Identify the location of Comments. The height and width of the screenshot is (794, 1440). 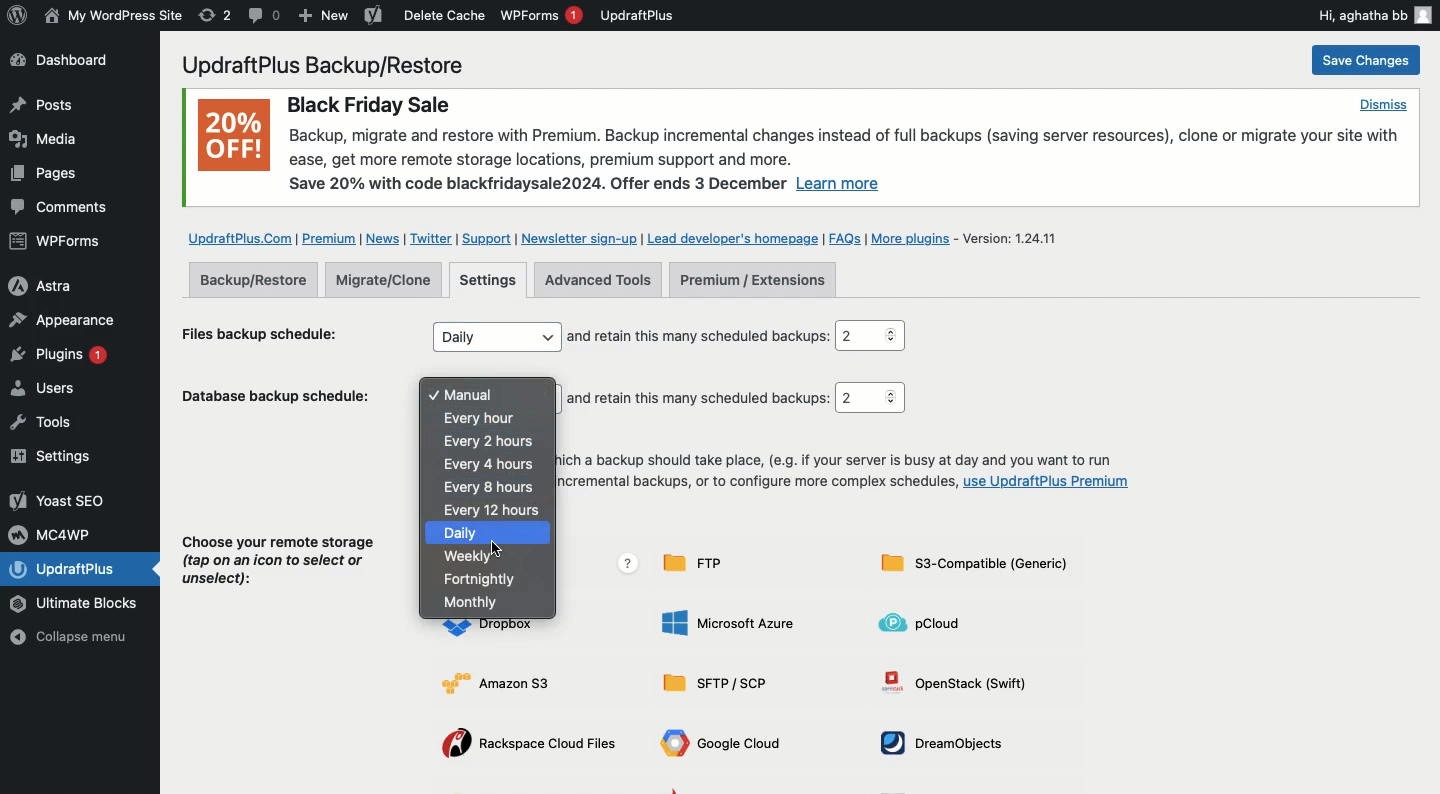
(62, 208).